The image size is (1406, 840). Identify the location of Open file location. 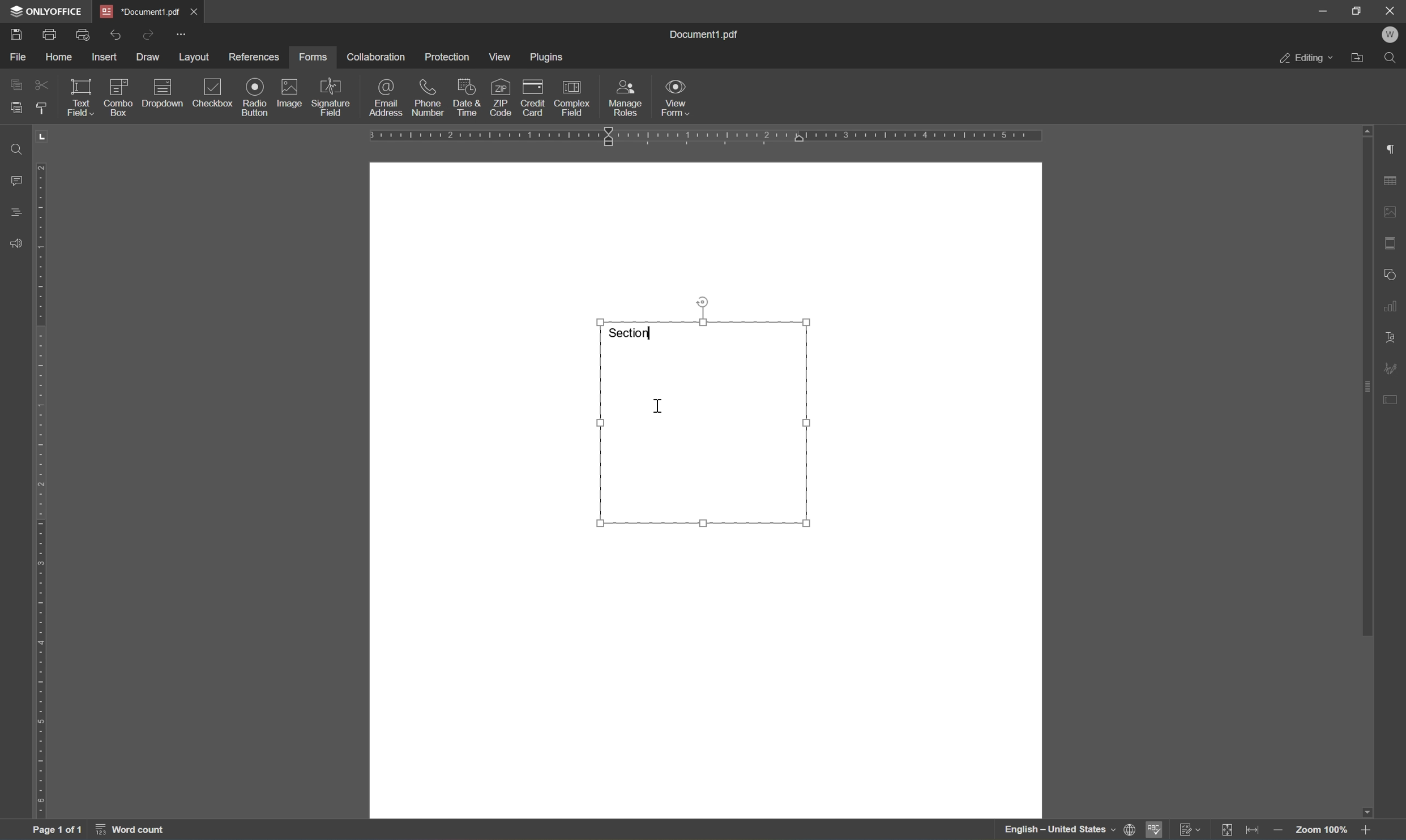
(1360, 59).